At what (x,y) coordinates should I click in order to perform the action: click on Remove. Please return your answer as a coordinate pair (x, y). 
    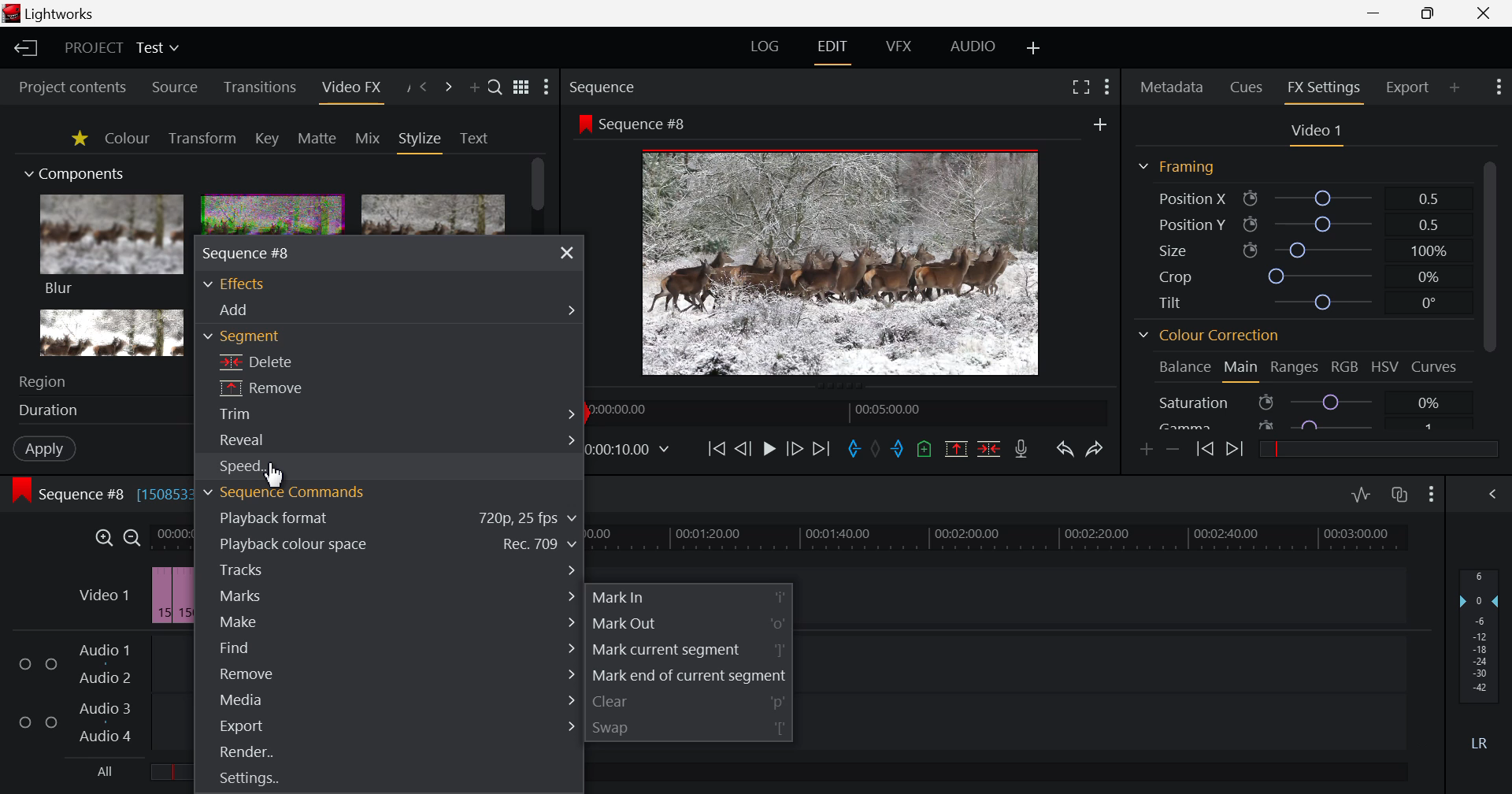
    Looking at the image, I should click on (287, 388).